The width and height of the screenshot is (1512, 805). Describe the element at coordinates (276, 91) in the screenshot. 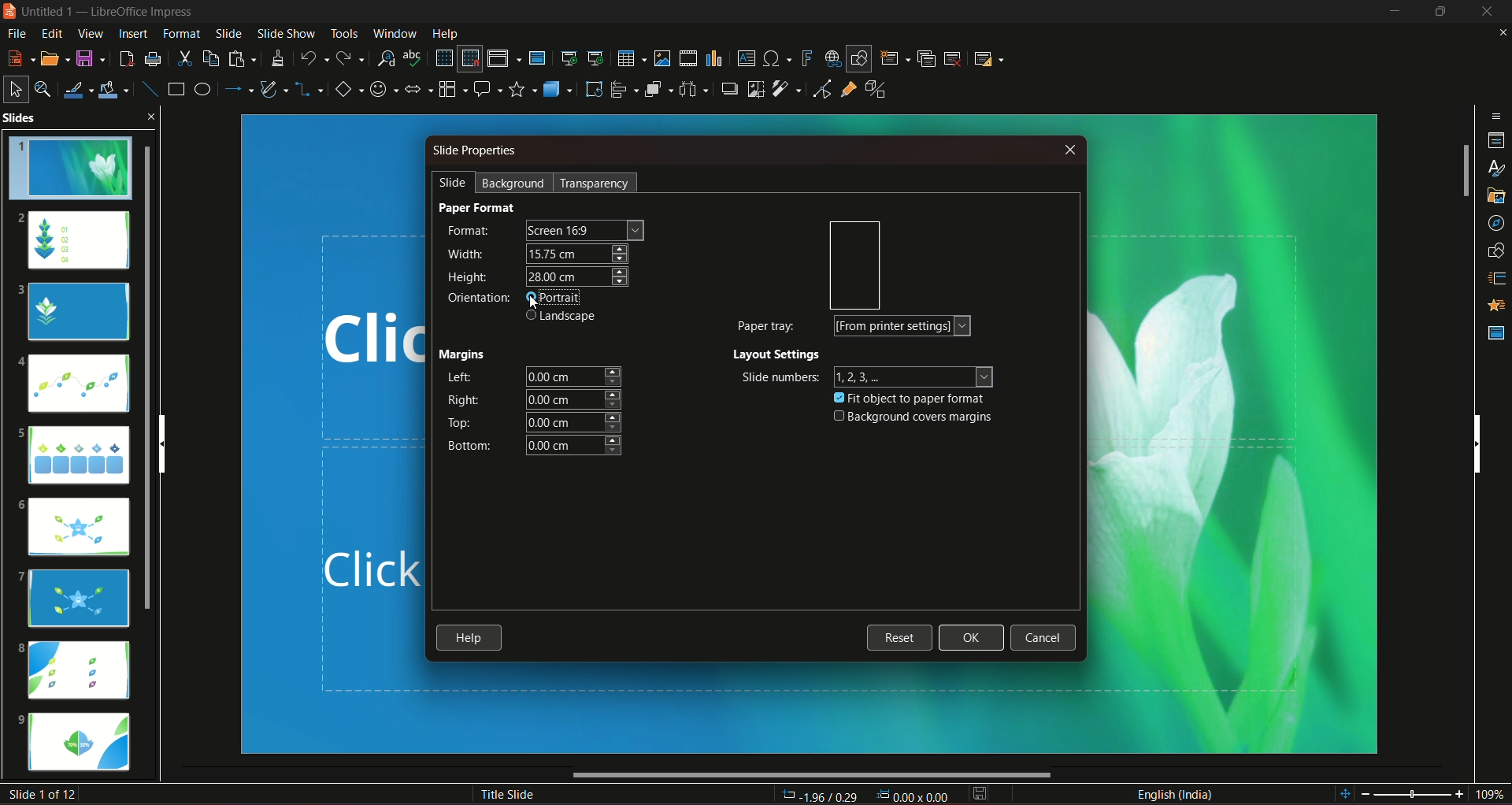

I see `curves and polygon` at that location.